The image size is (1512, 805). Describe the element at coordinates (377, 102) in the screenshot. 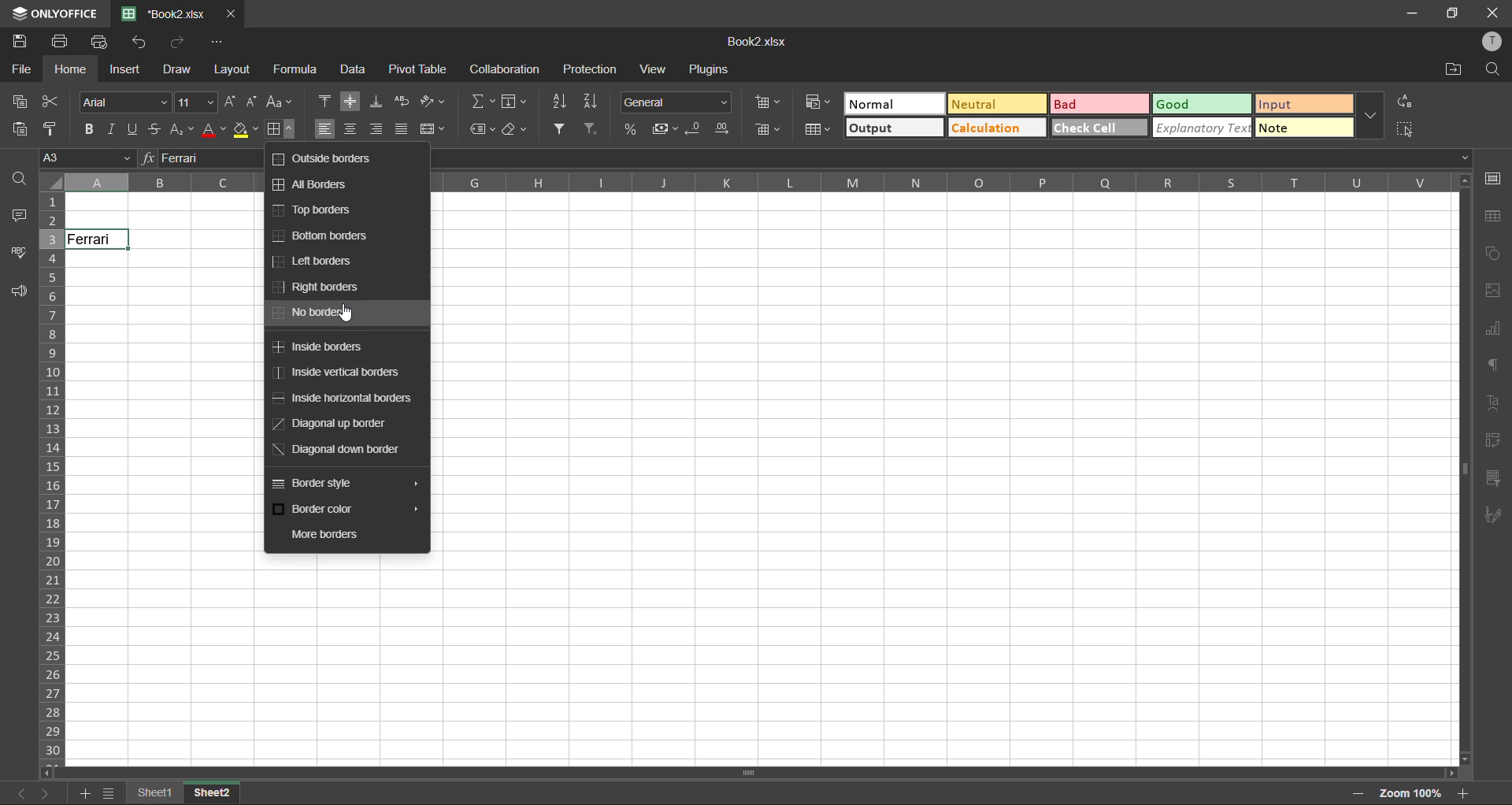

I see `align bottom` at that location.